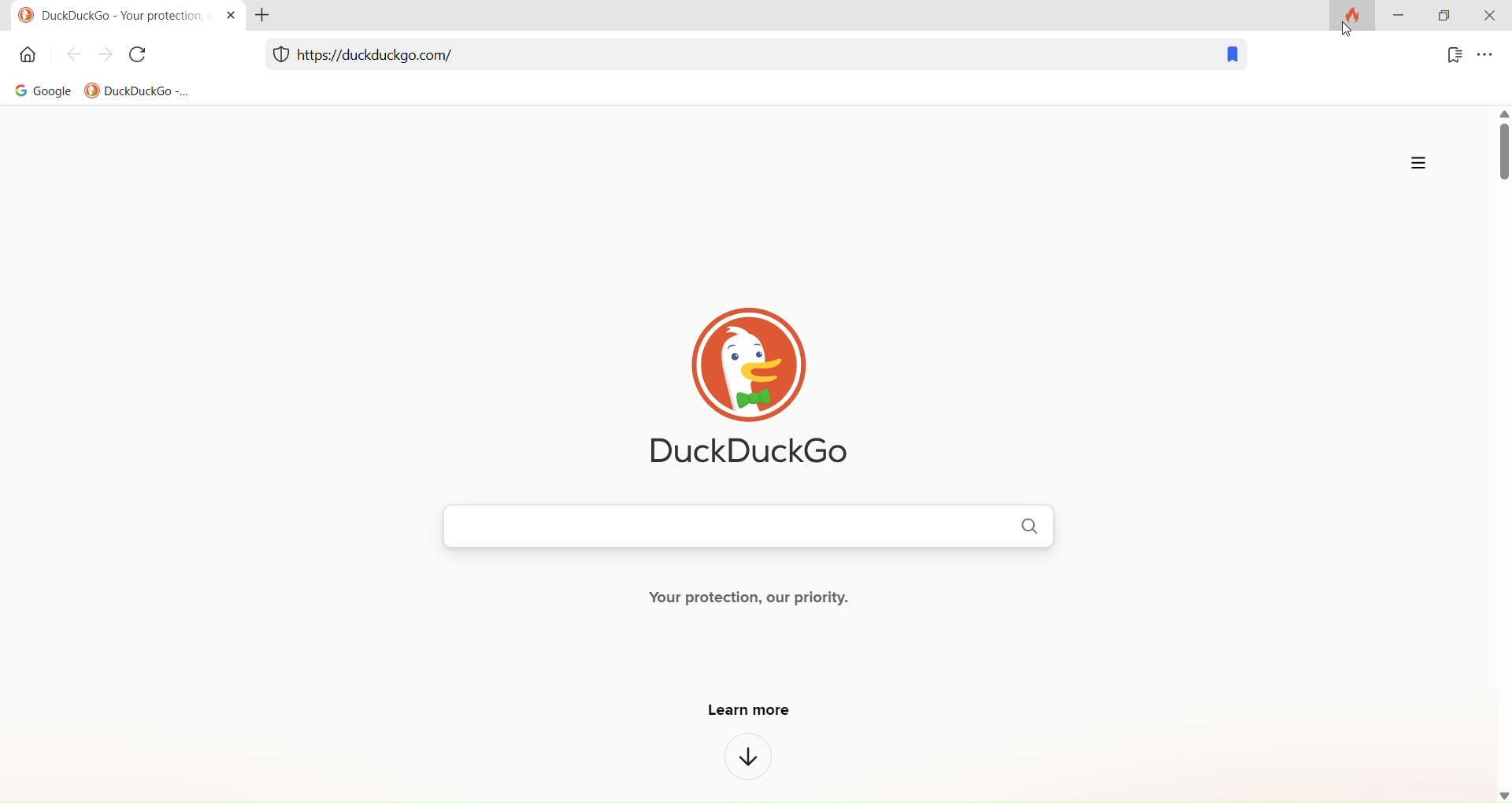 This screenshot has width=1512, height=803. I want to click on minimize, so click(1400, 23).